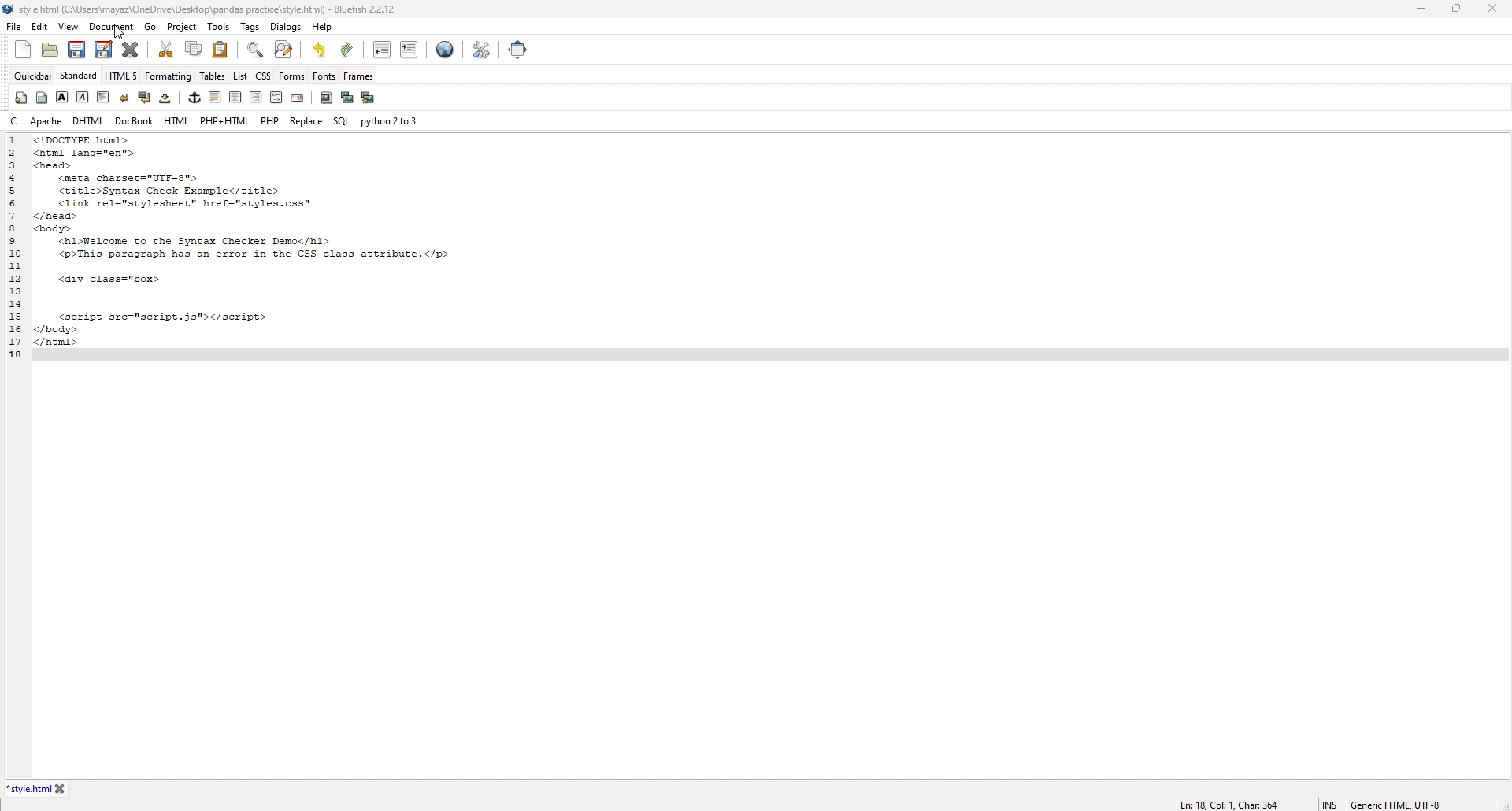 This screenshot has height=811, width=1512. What do you see at coordinates (42, 98) in the screenshot?
I see `body` at bounding box center [42, 98].